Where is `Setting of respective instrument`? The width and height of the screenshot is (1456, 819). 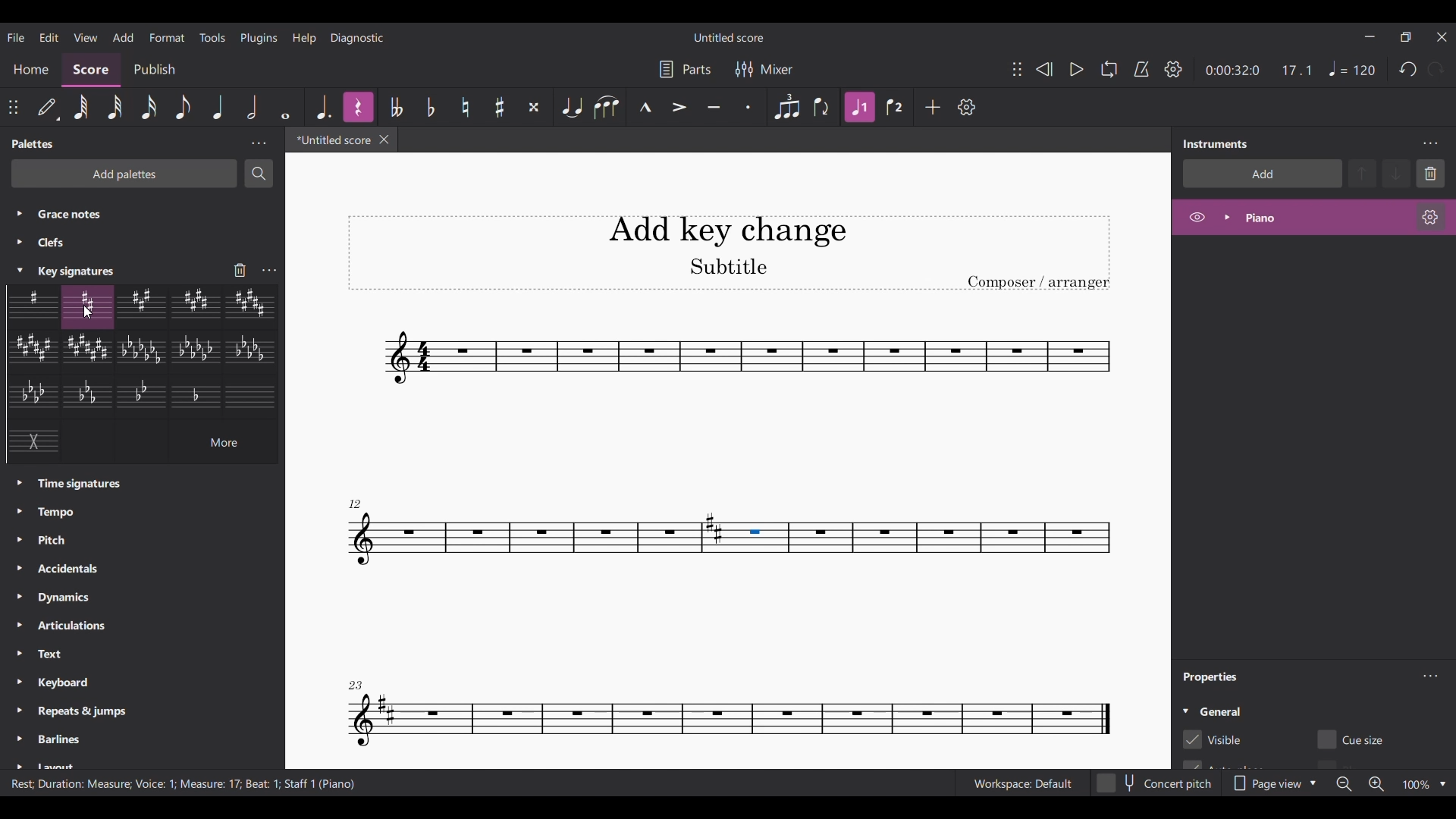 Setting of respective instrument is located at coordinates (1429, 217).